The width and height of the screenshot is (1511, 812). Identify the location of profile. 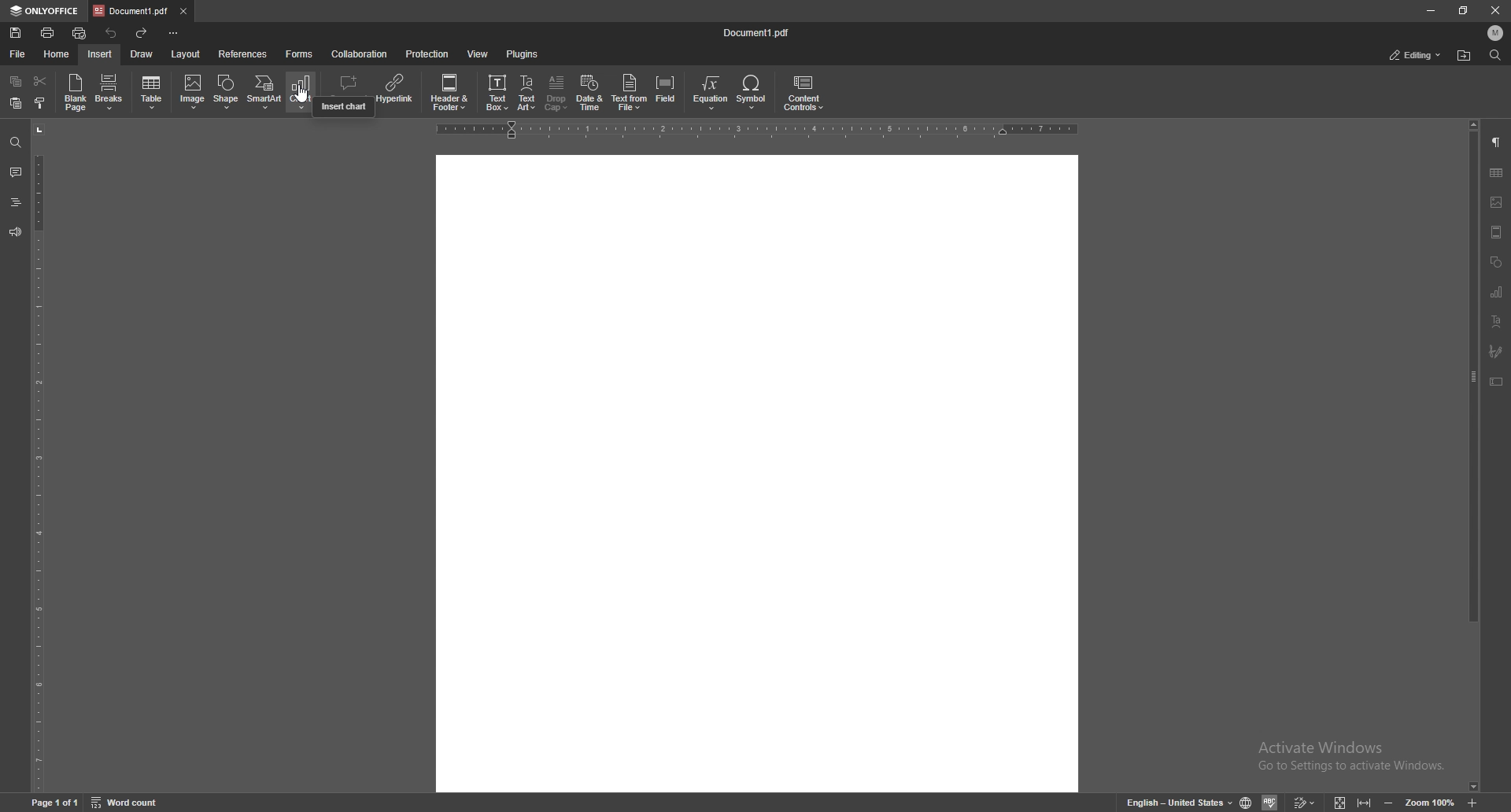
(1496, 32).